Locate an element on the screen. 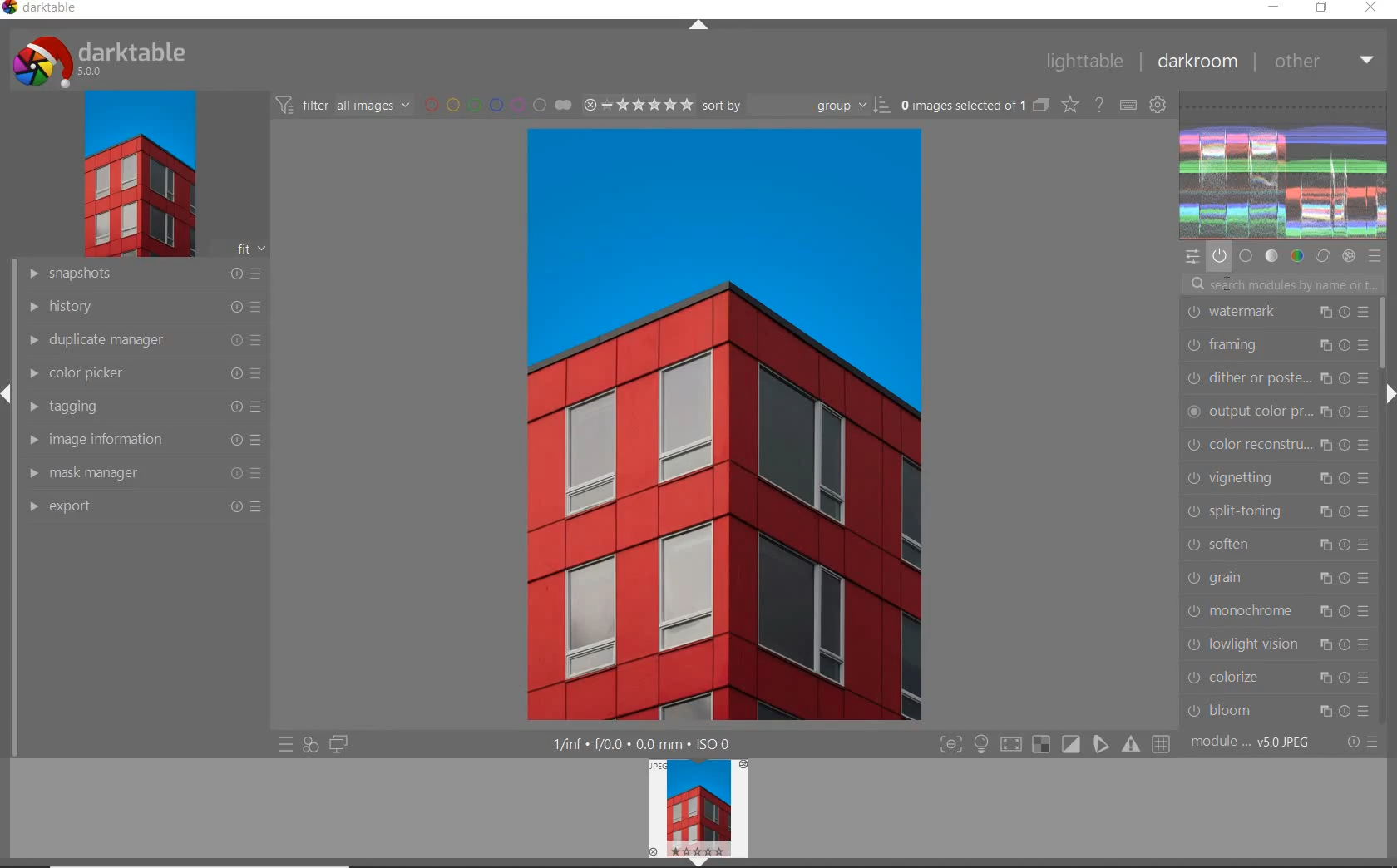 Image resolution: width=1397 pixels, height=868 pixels. reset or preset & preference is located at coordinates (1360, 745).